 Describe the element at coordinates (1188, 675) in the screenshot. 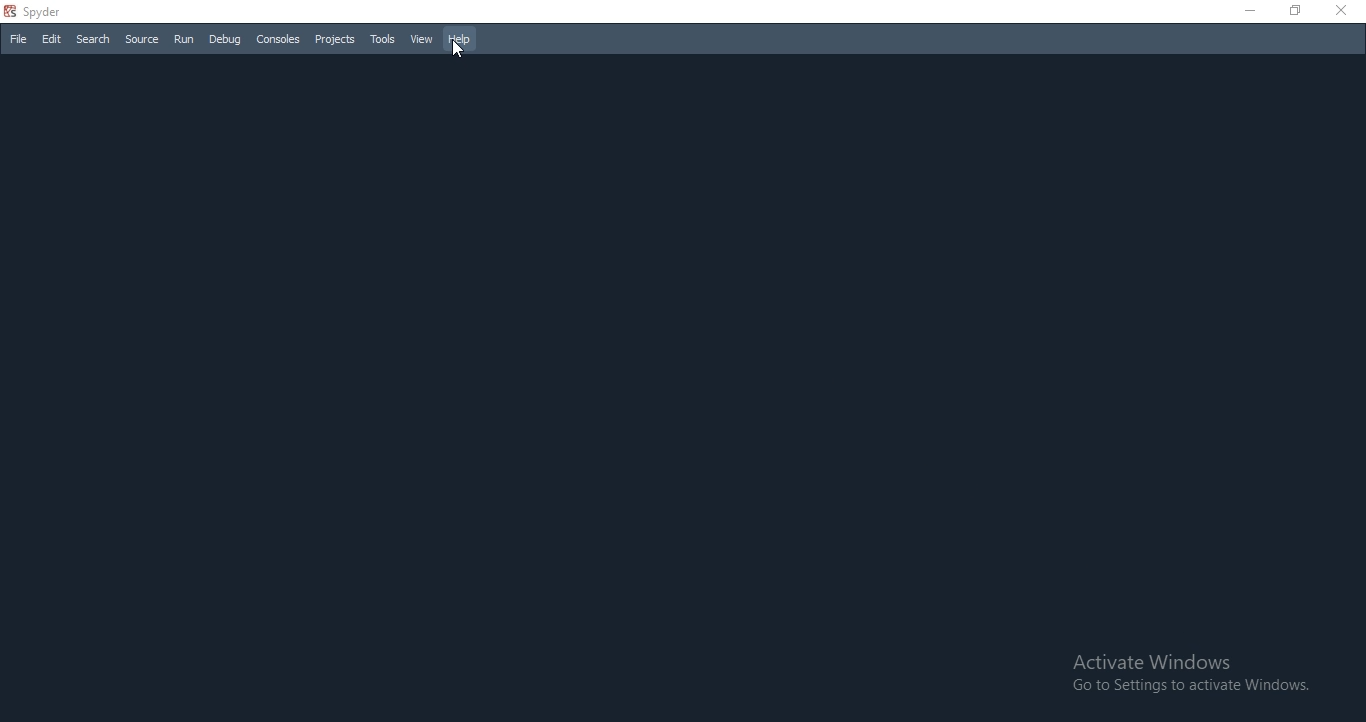

I see `Activate Windows
Go to Settings to activate Windows.` at that location.